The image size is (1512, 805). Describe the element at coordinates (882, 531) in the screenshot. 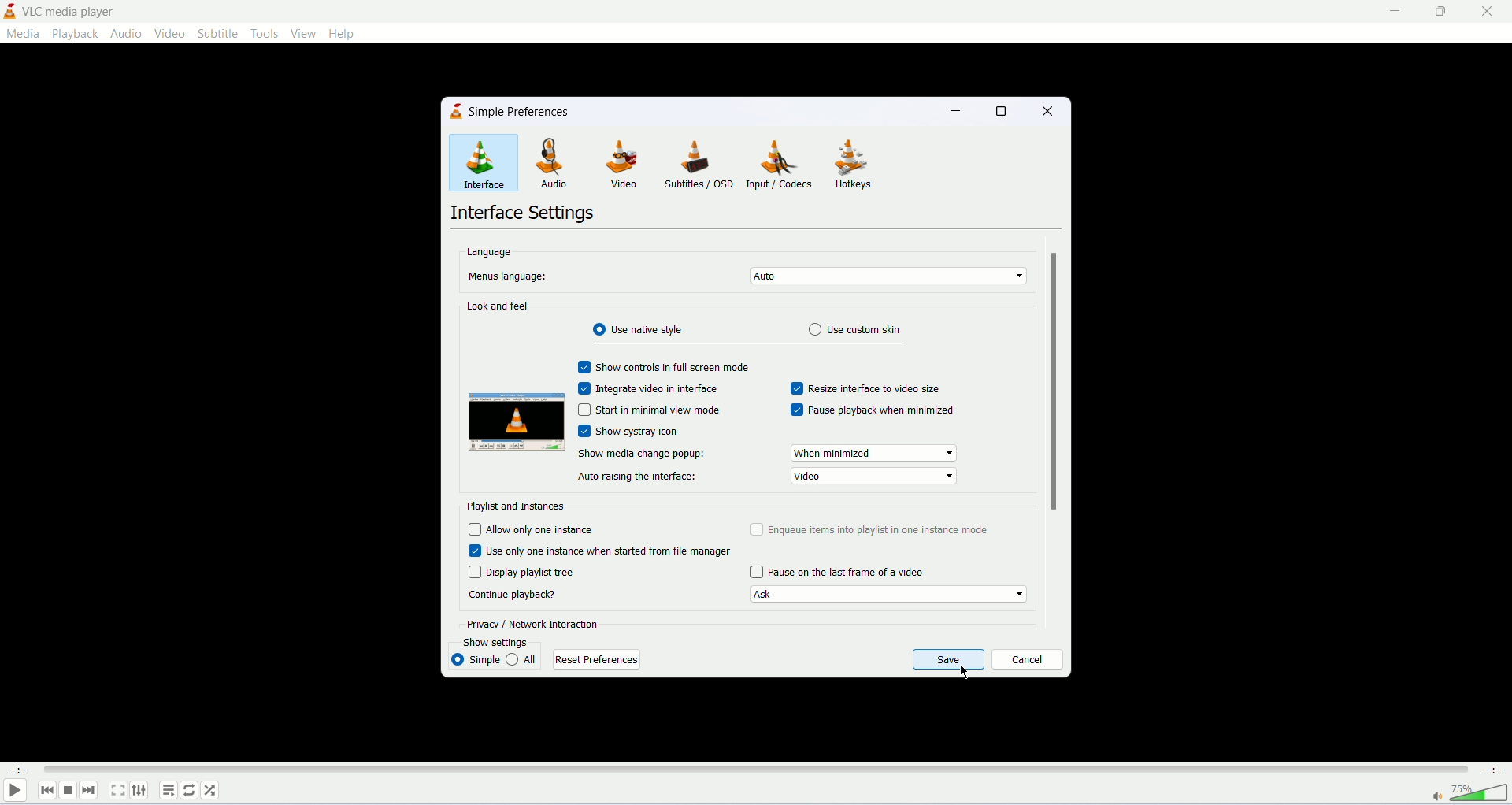

I see `enqueue items into playlist in one instance` at that location.